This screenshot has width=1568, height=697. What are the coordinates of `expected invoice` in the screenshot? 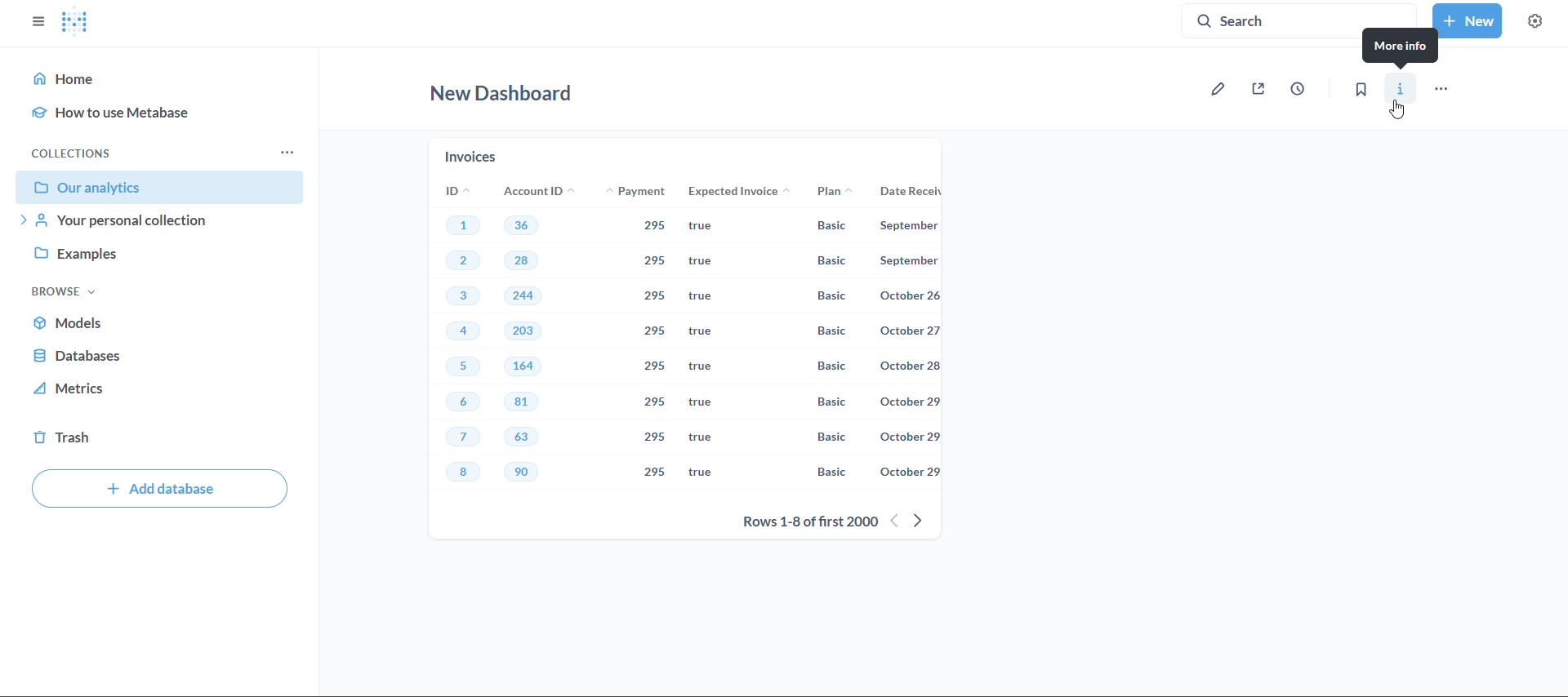 It's located at (742, 191).